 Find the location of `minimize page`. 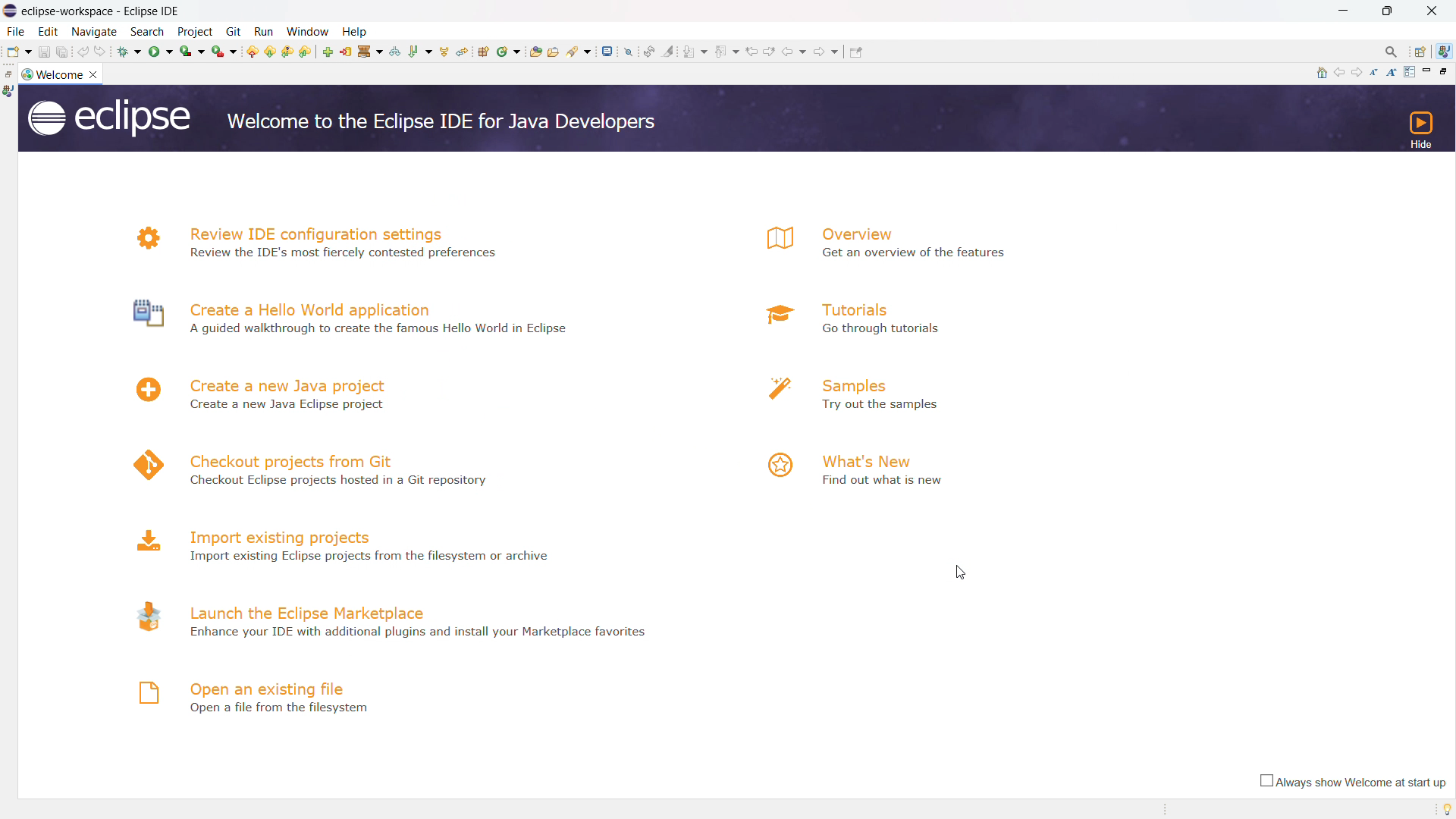

minimize page is located at coordinates (1427, 71).